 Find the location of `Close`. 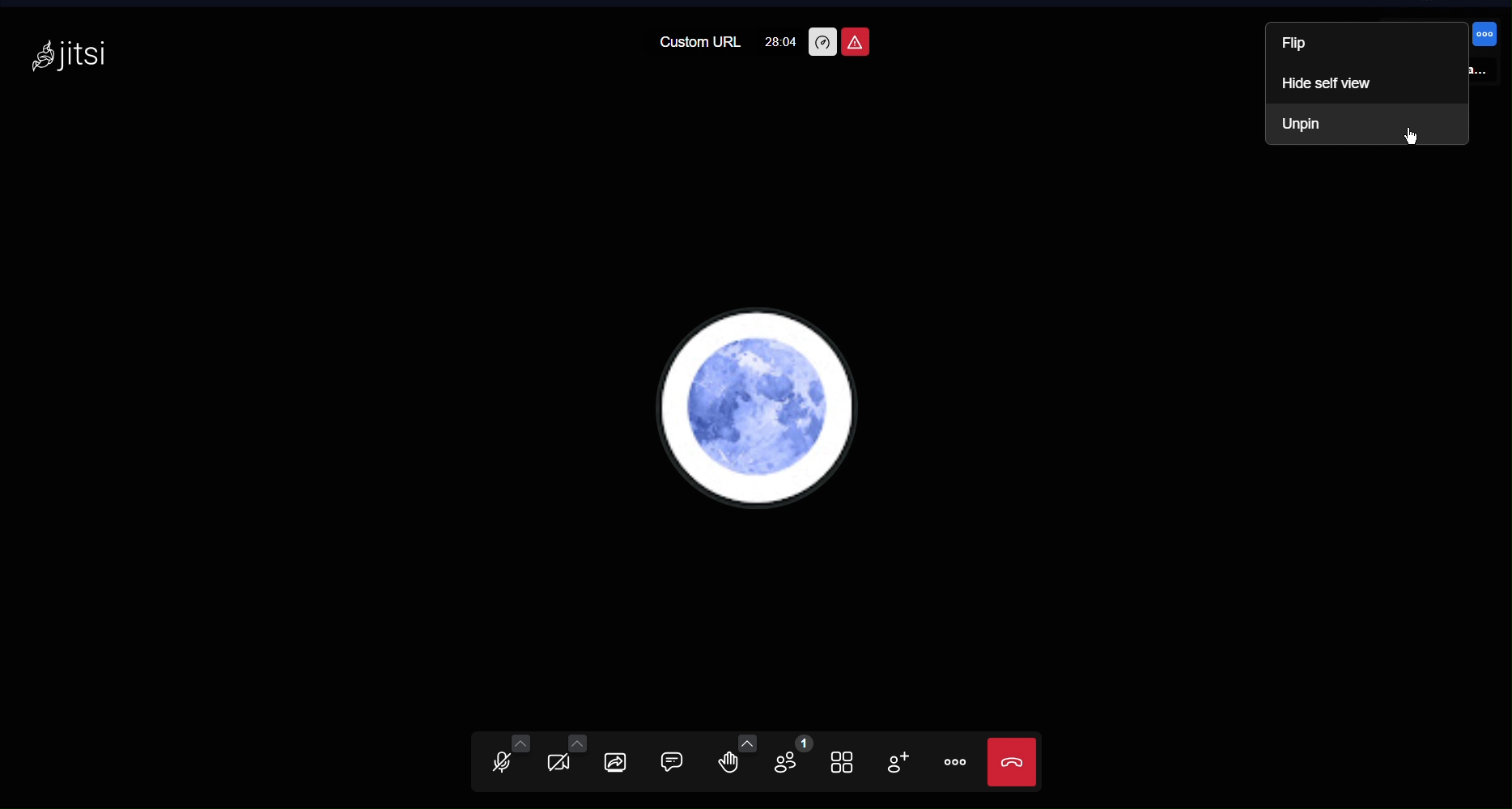

Close is located at coordinates (1013, 762).